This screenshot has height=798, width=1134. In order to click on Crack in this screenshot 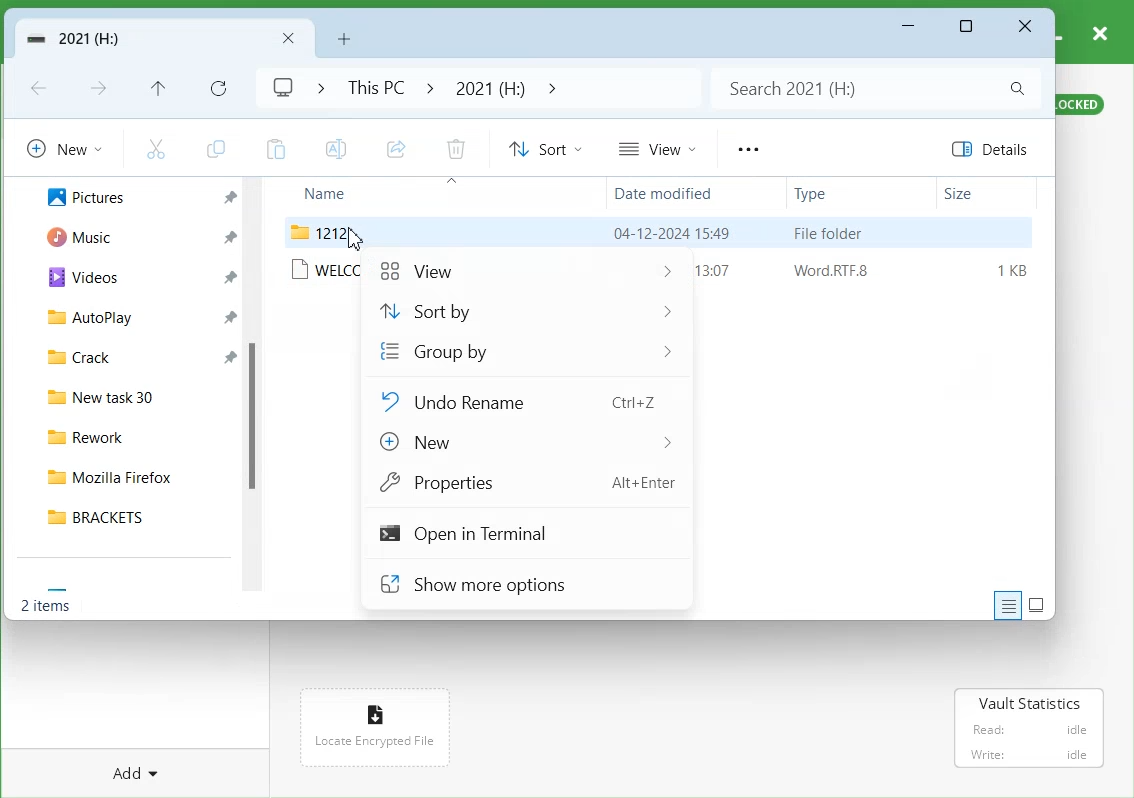, I will do `click(78, 358)`.